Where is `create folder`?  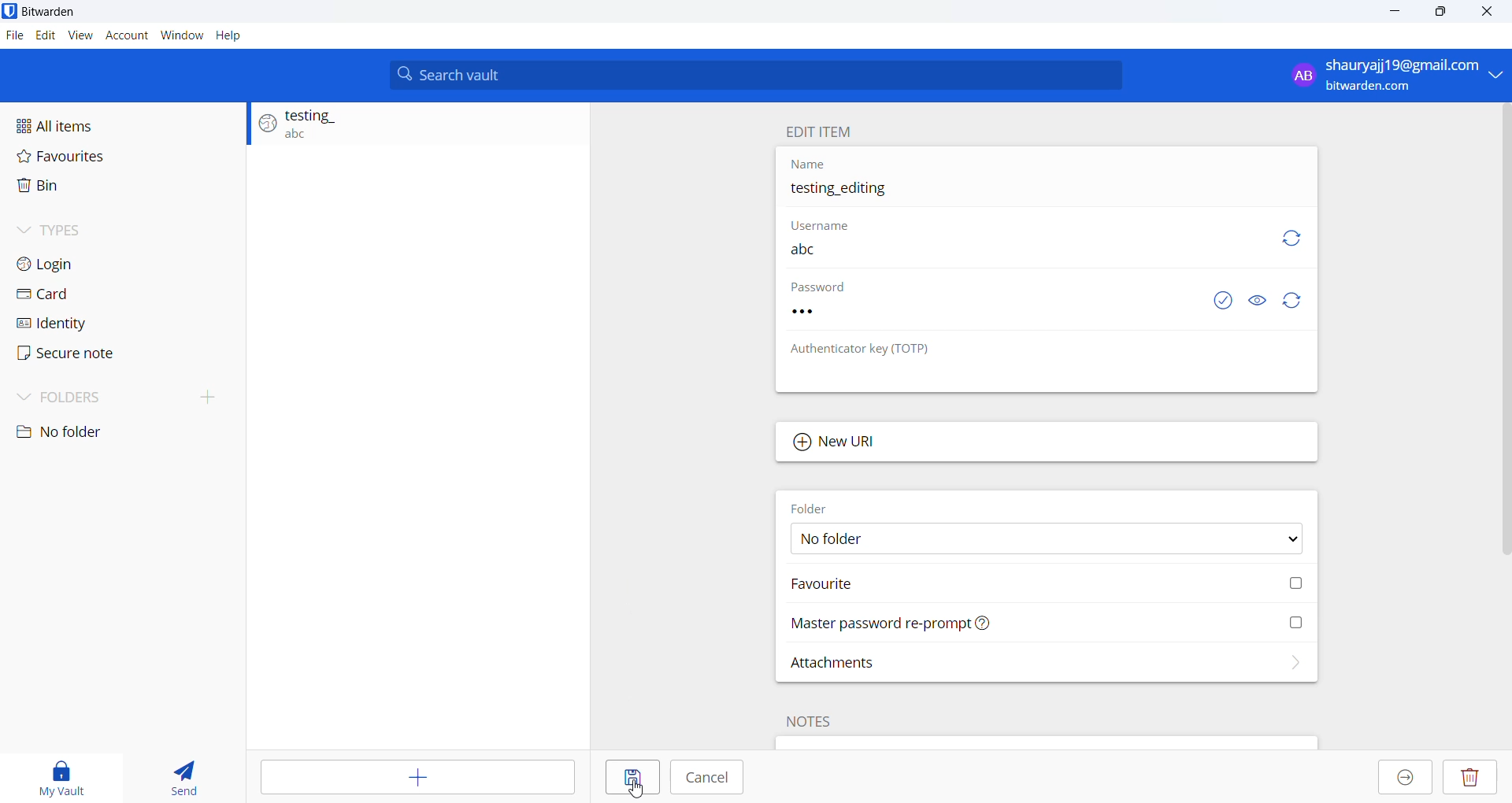
create folder is located at coordinates (214, 396).